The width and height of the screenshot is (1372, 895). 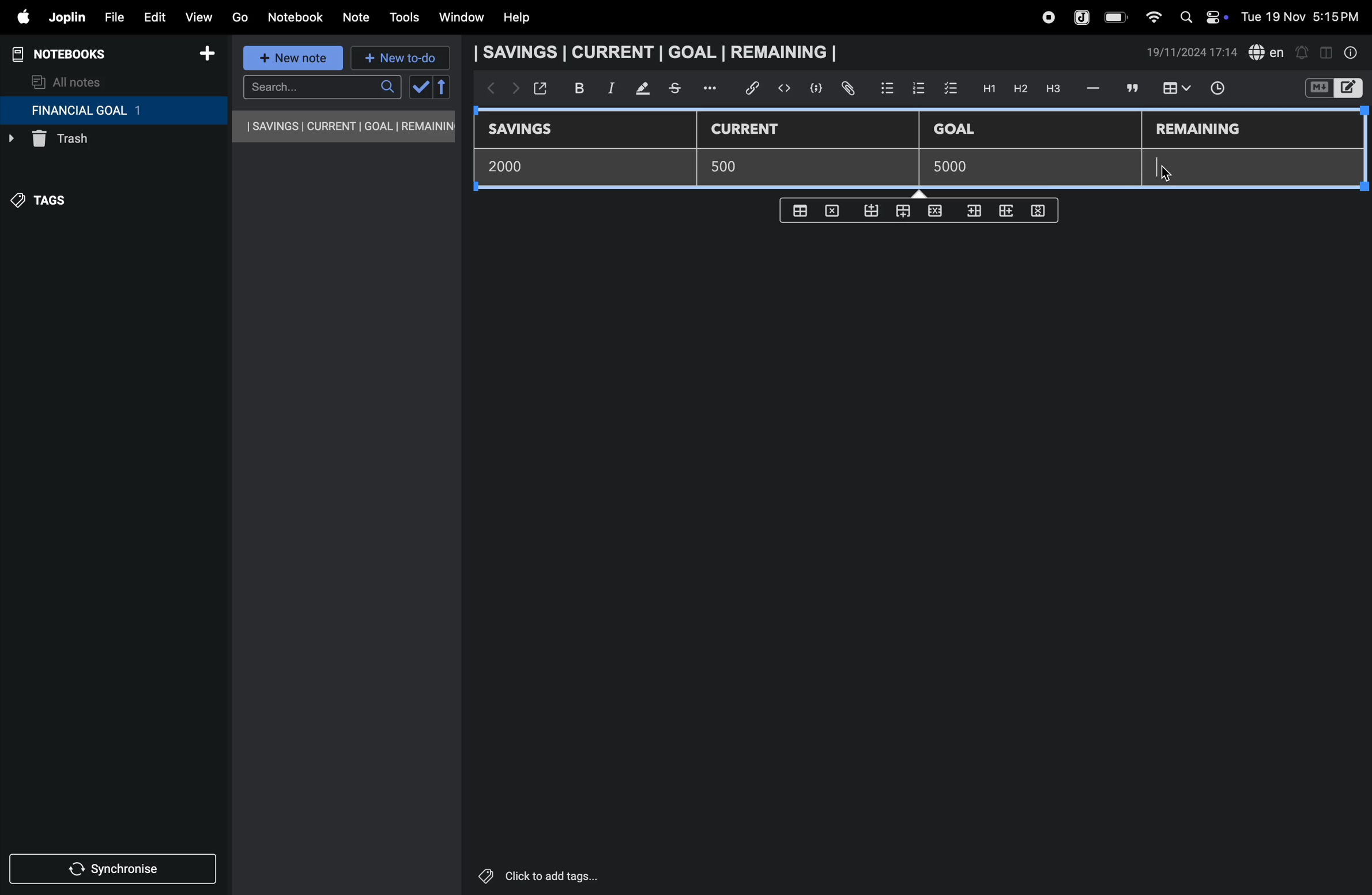 I want to click on notebooks, so click(x=69, y=54).